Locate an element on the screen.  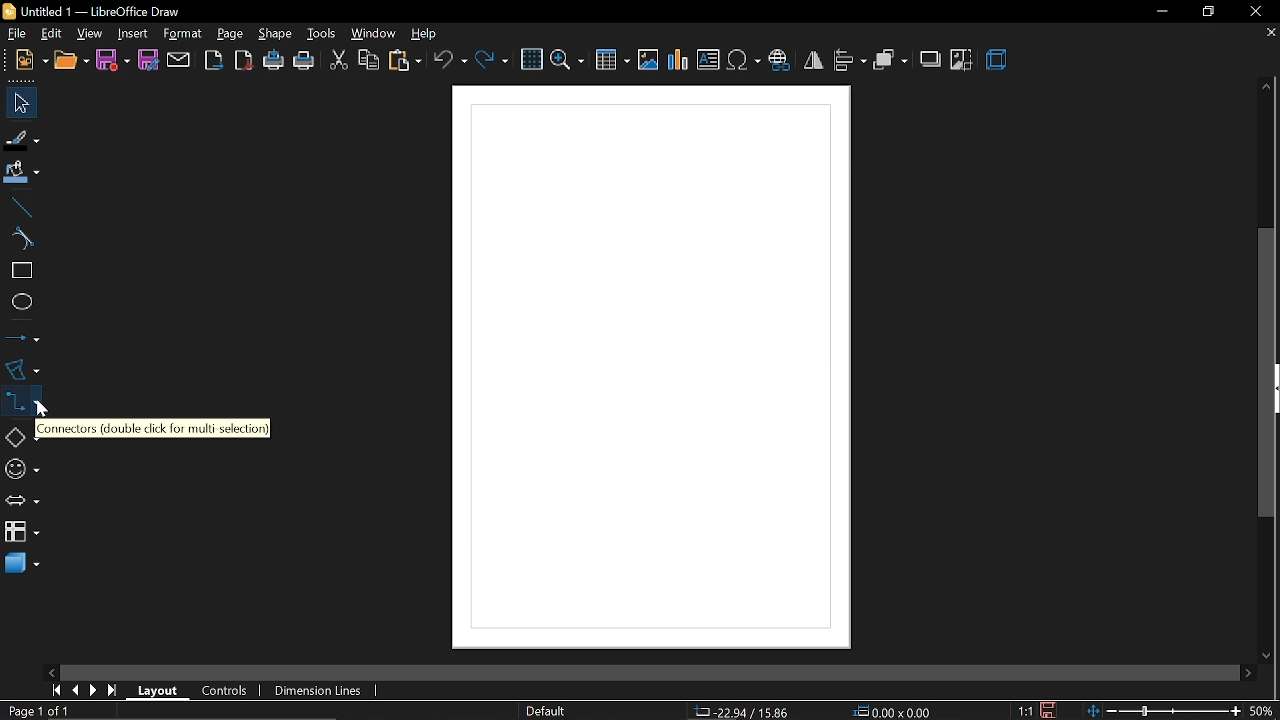
select is located at coordinates (18, 103).